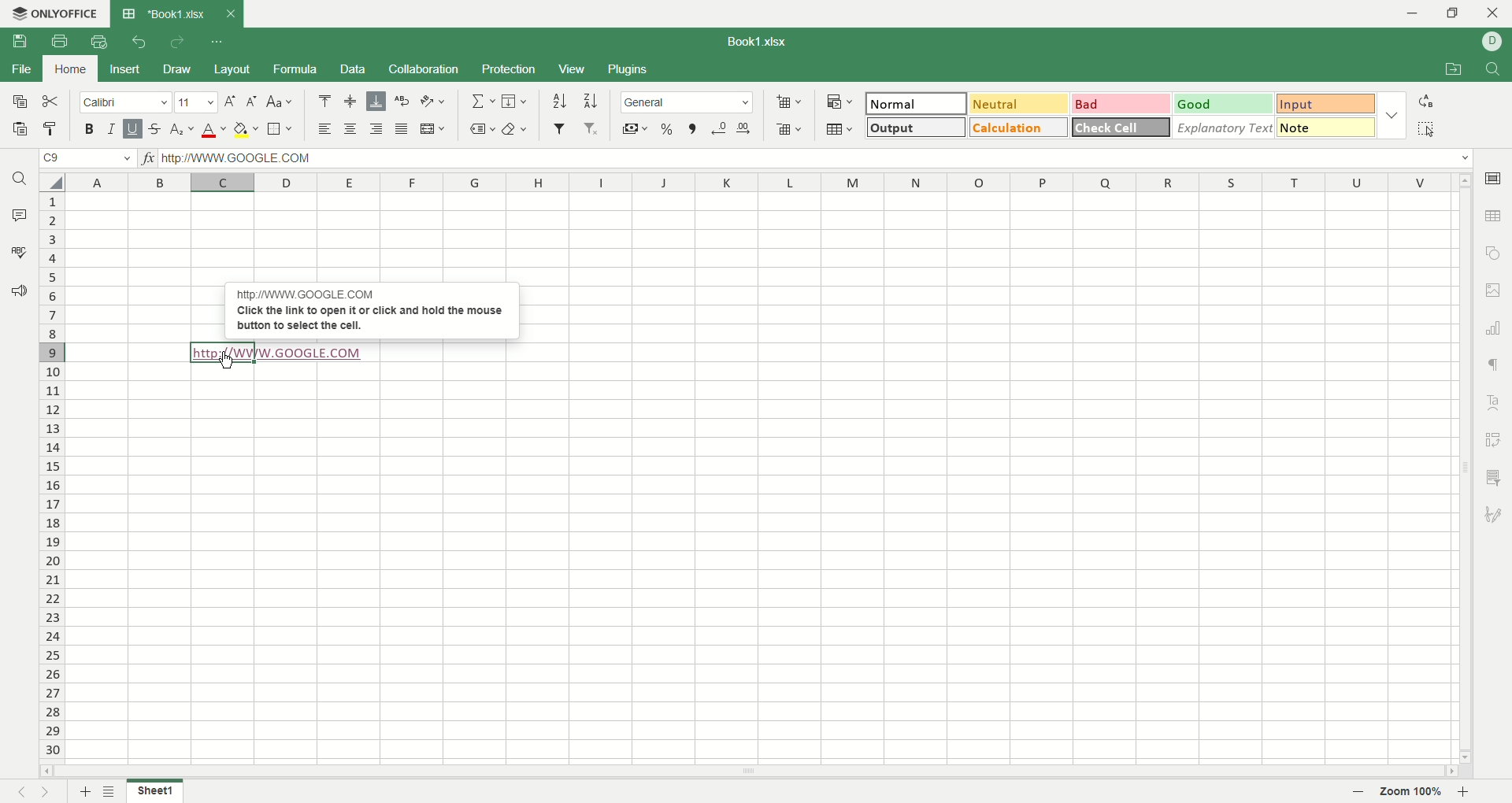 This screenshot has width=1512, height=803. I want to click on font color, so click(216, 129).